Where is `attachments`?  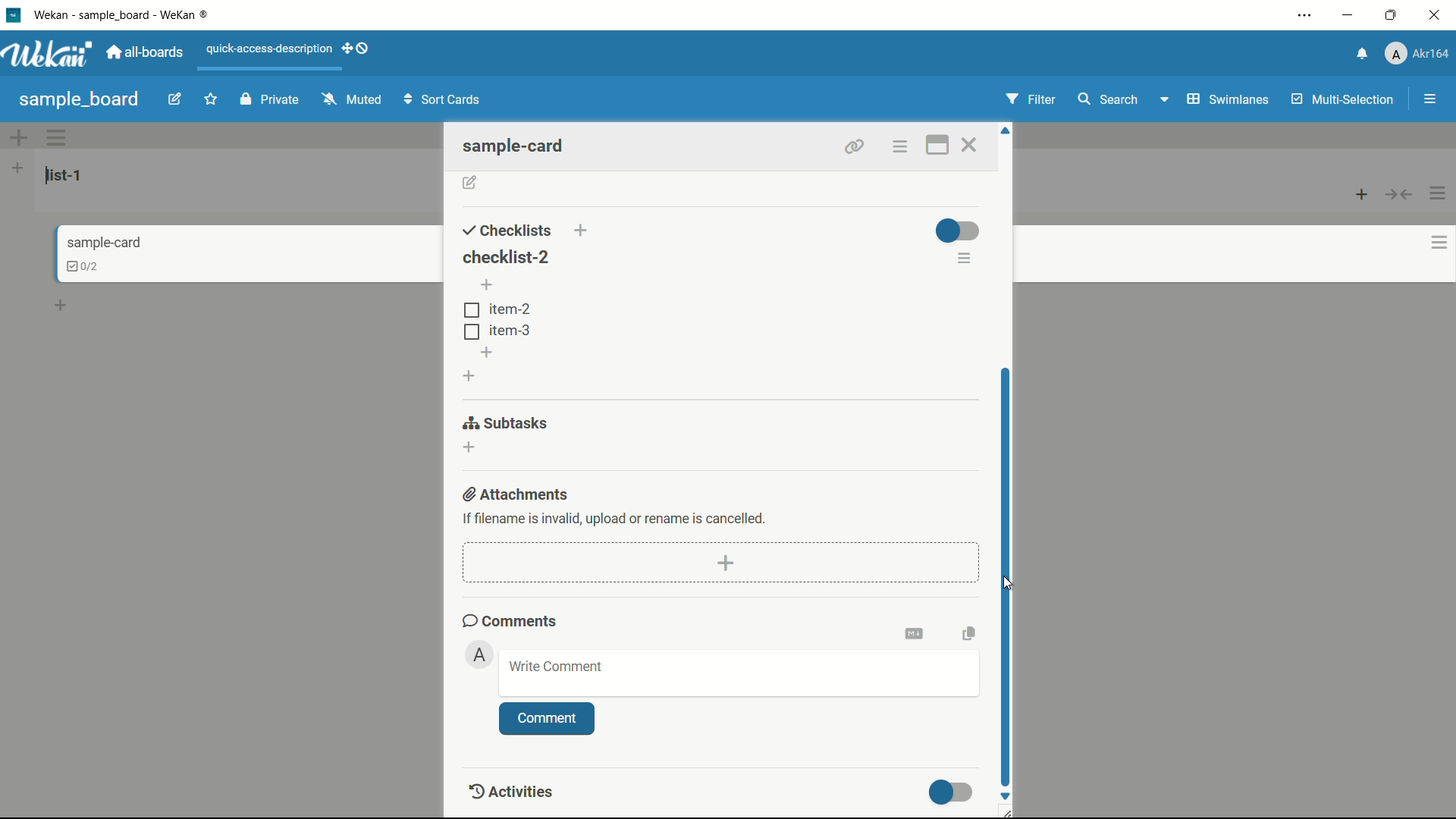
attachments is located at coordinates (518, 494).